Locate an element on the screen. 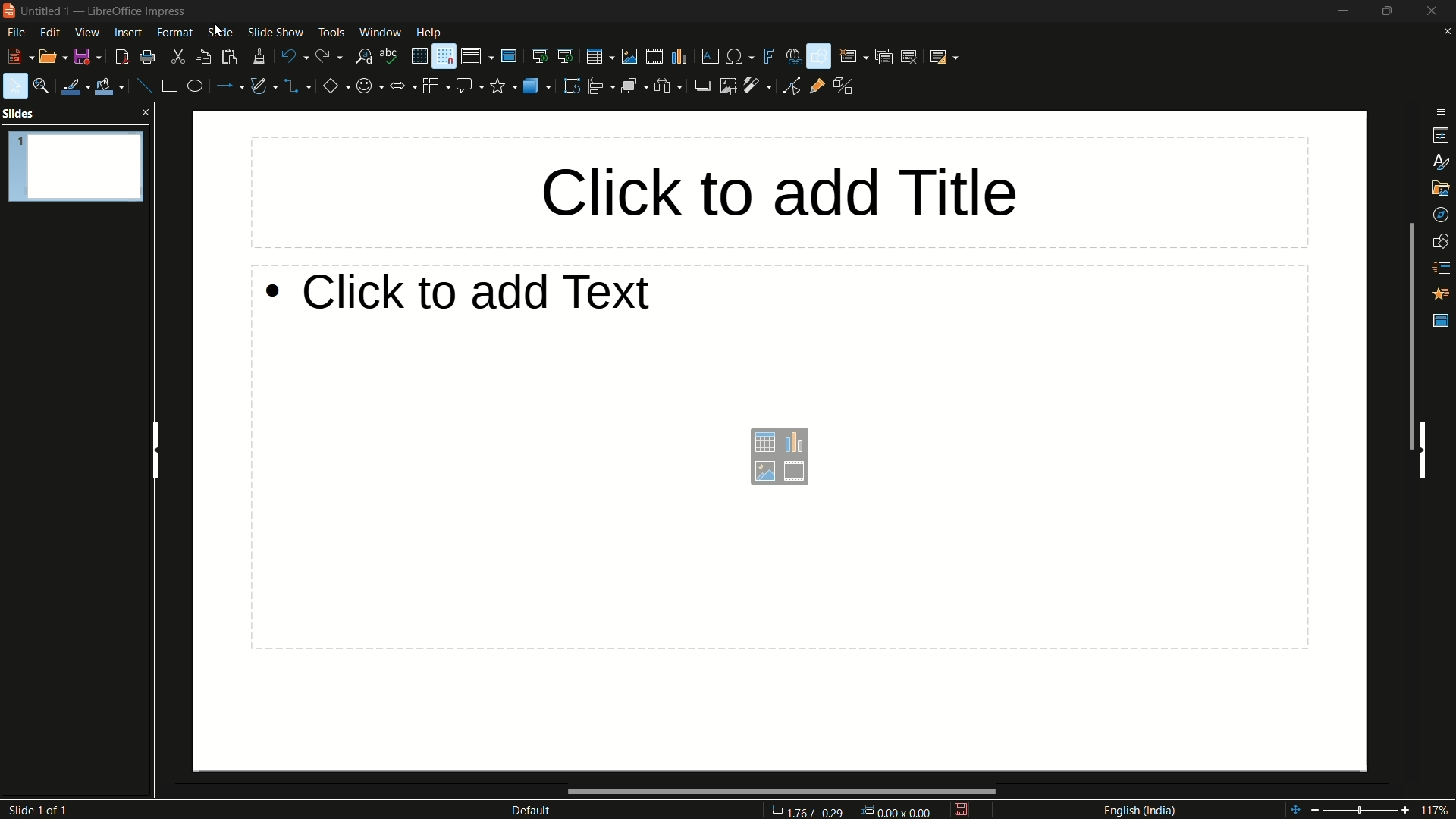  symbol shapes is located at coordinates (368, 87).